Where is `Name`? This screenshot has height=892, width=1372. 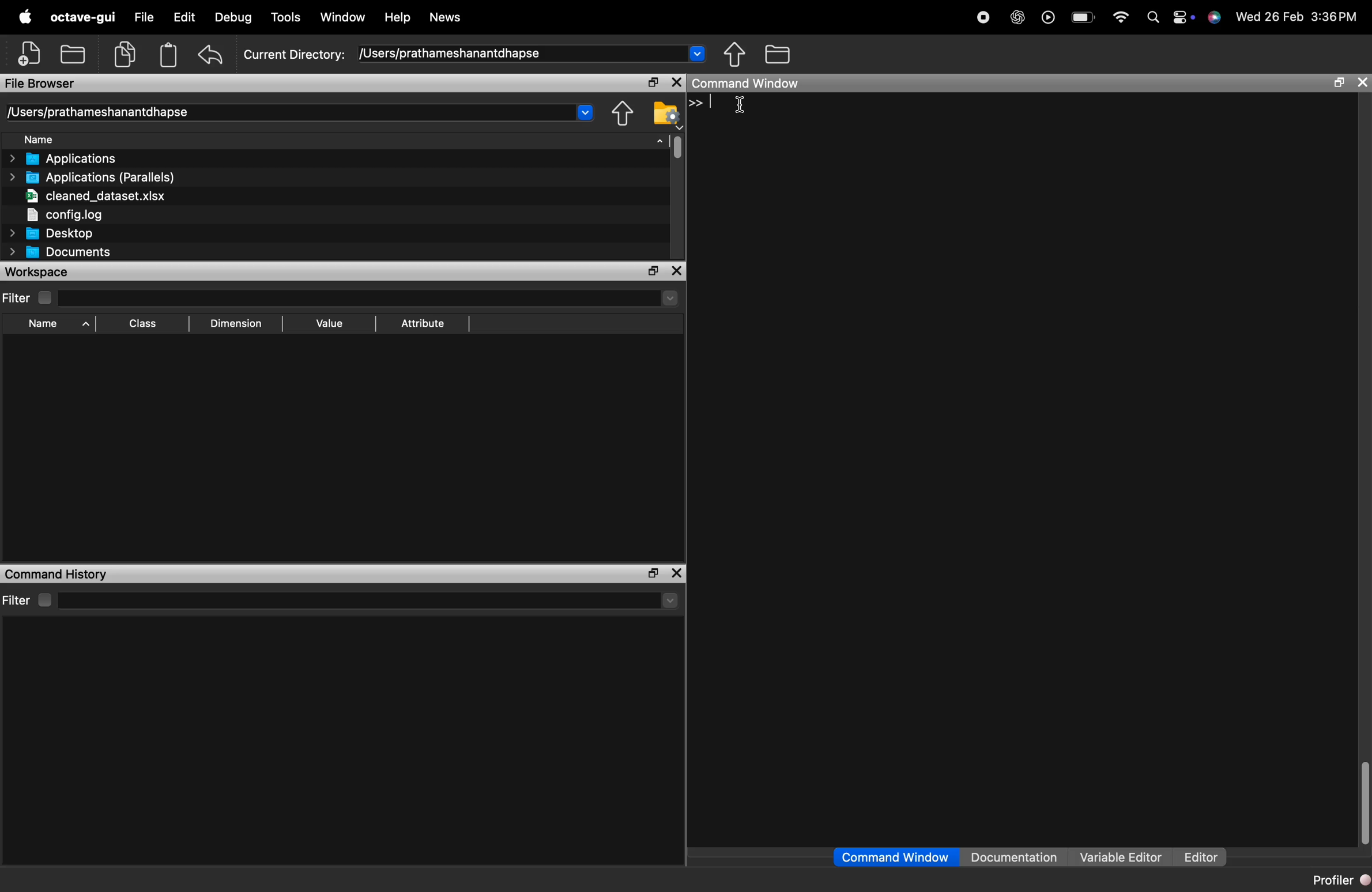 Name is located at coordinates (74, 140).